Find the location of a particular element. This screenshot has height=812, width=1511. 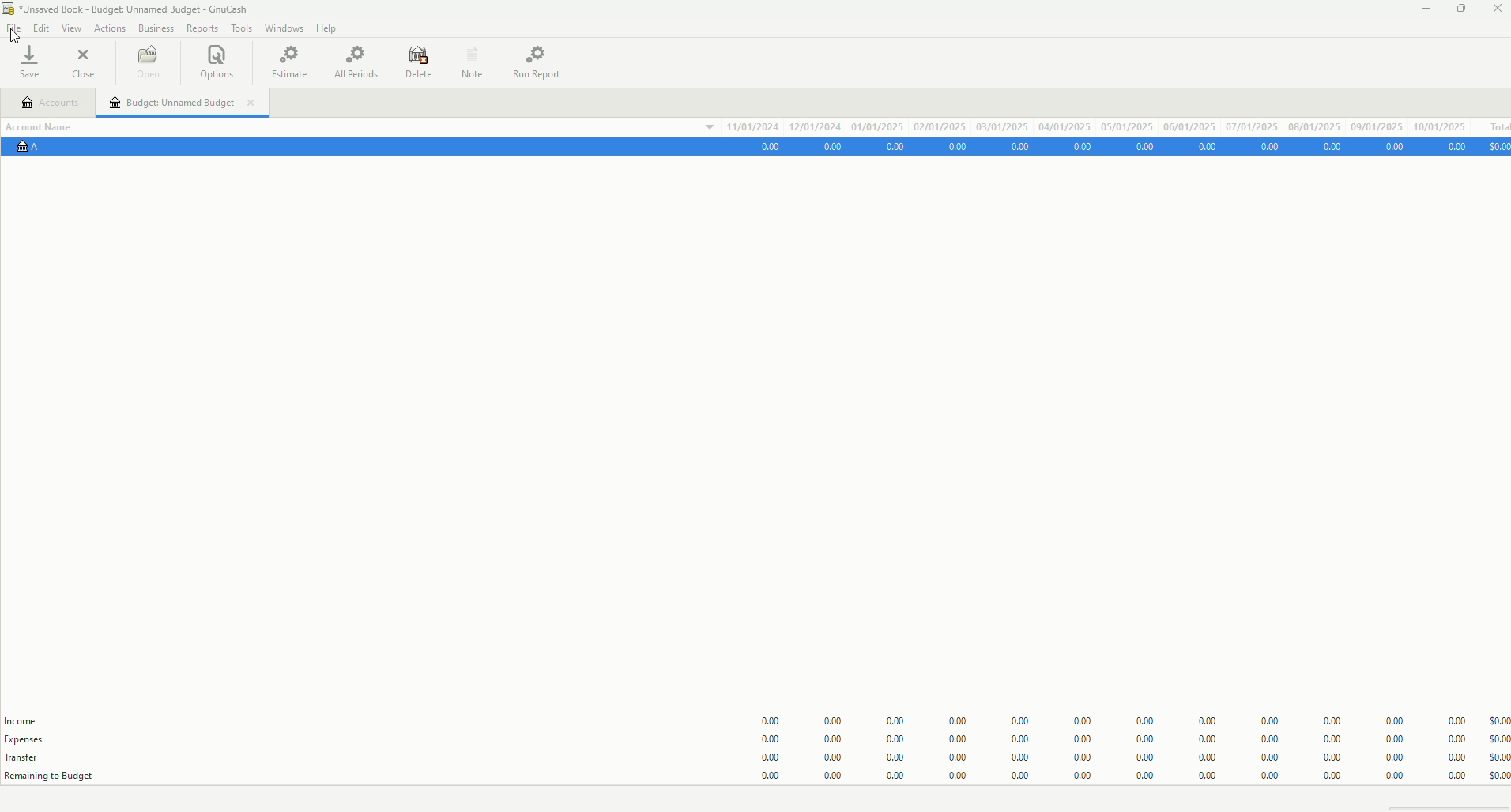

dates is located at coordinates (1100, 125).